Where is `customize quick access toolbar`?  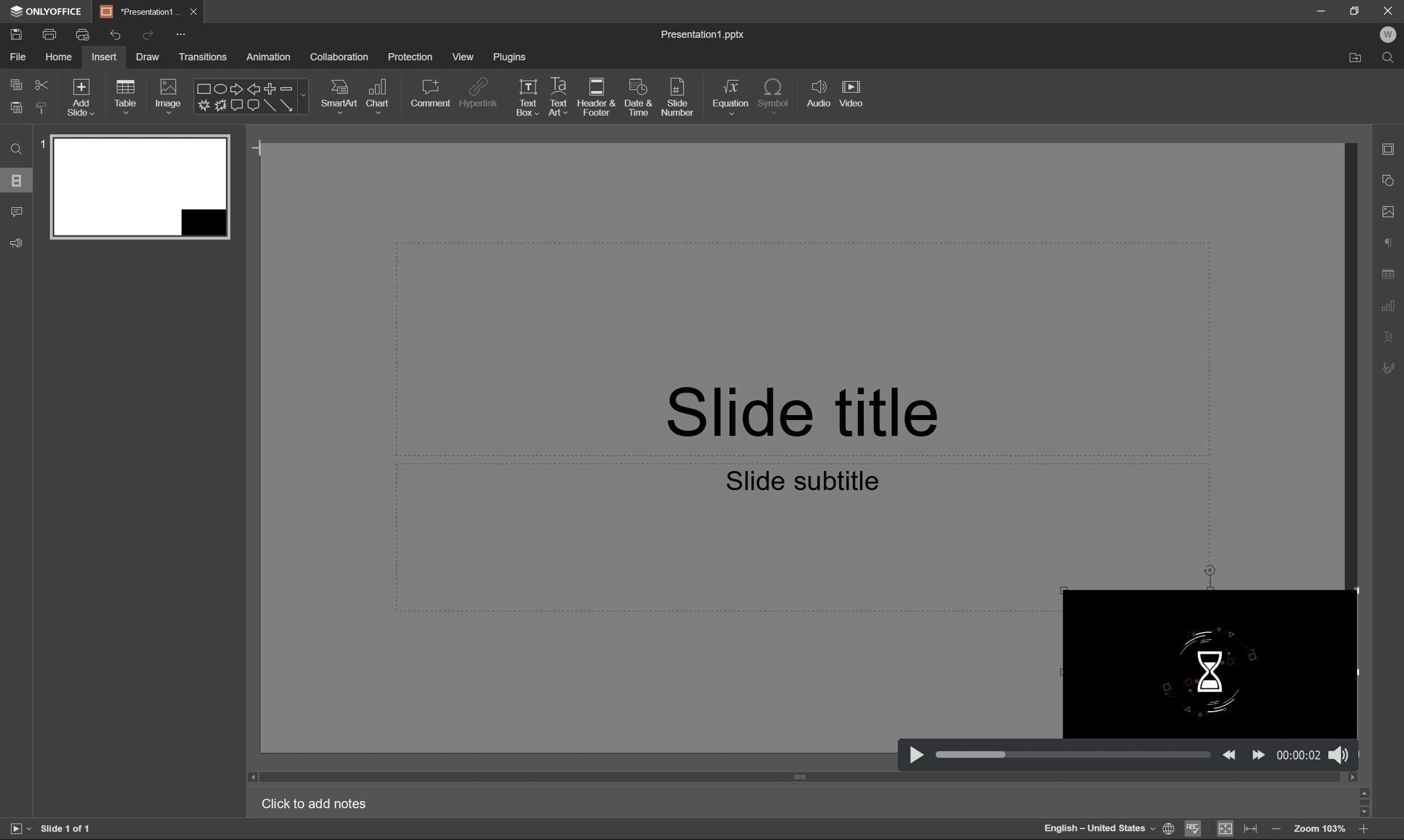
customize quick access toolbar is located at coordinates (183, 35).